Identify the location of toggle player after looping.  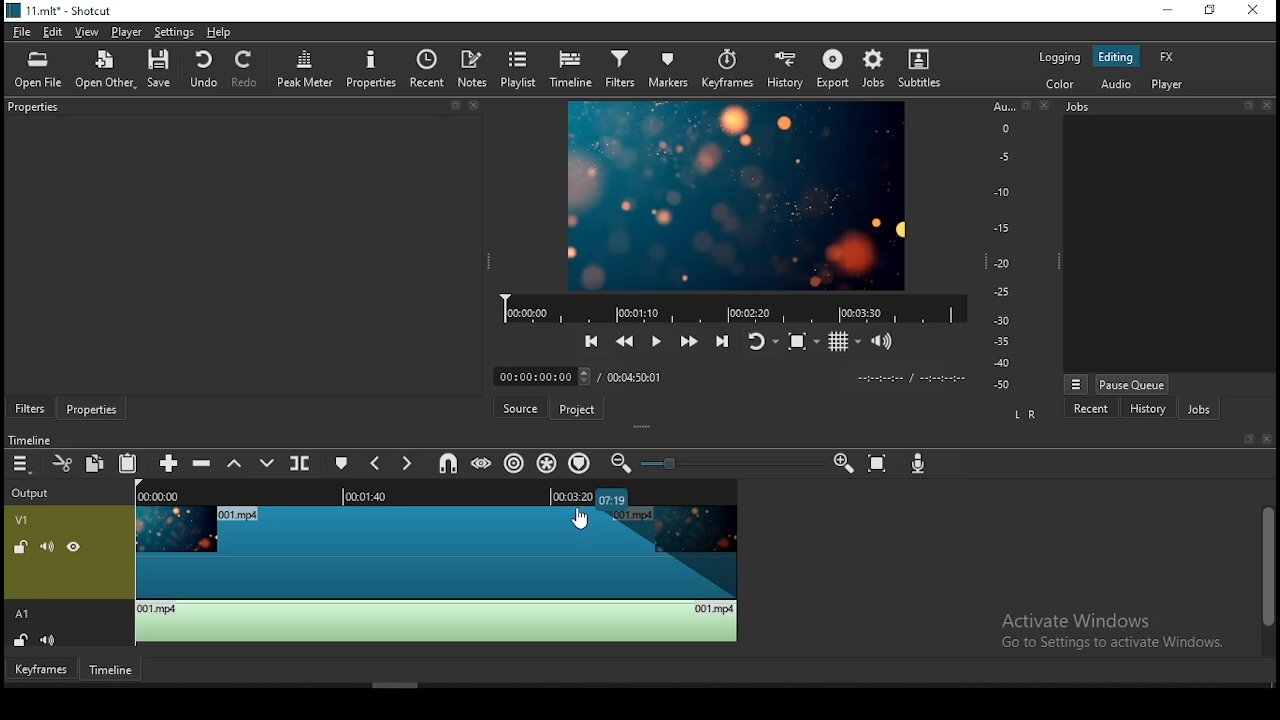
(759, 342).